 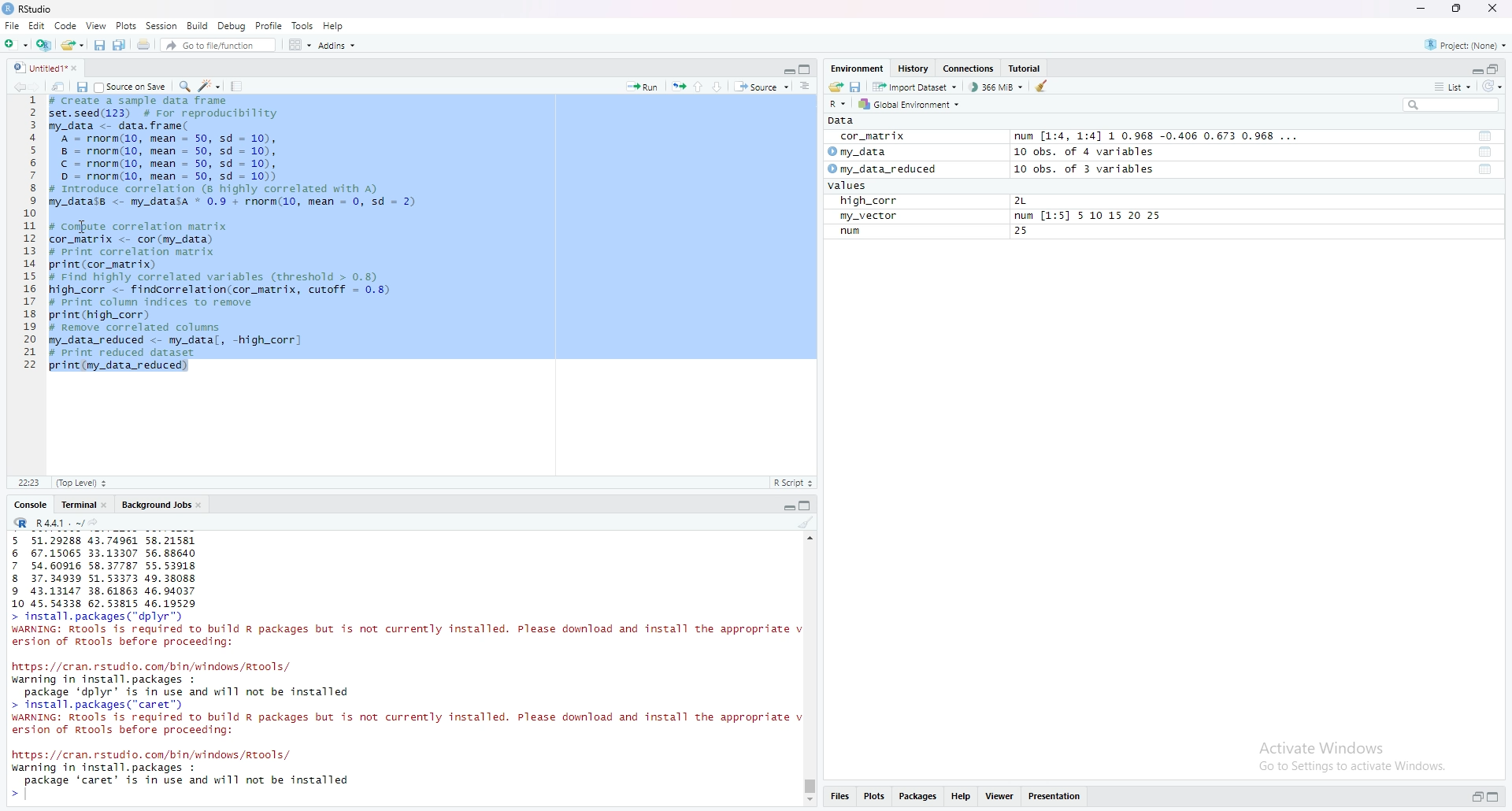 What do you see at coordinates (269, 25) in the screenshot?
I see `Profile` at bounding box center [269, 25].